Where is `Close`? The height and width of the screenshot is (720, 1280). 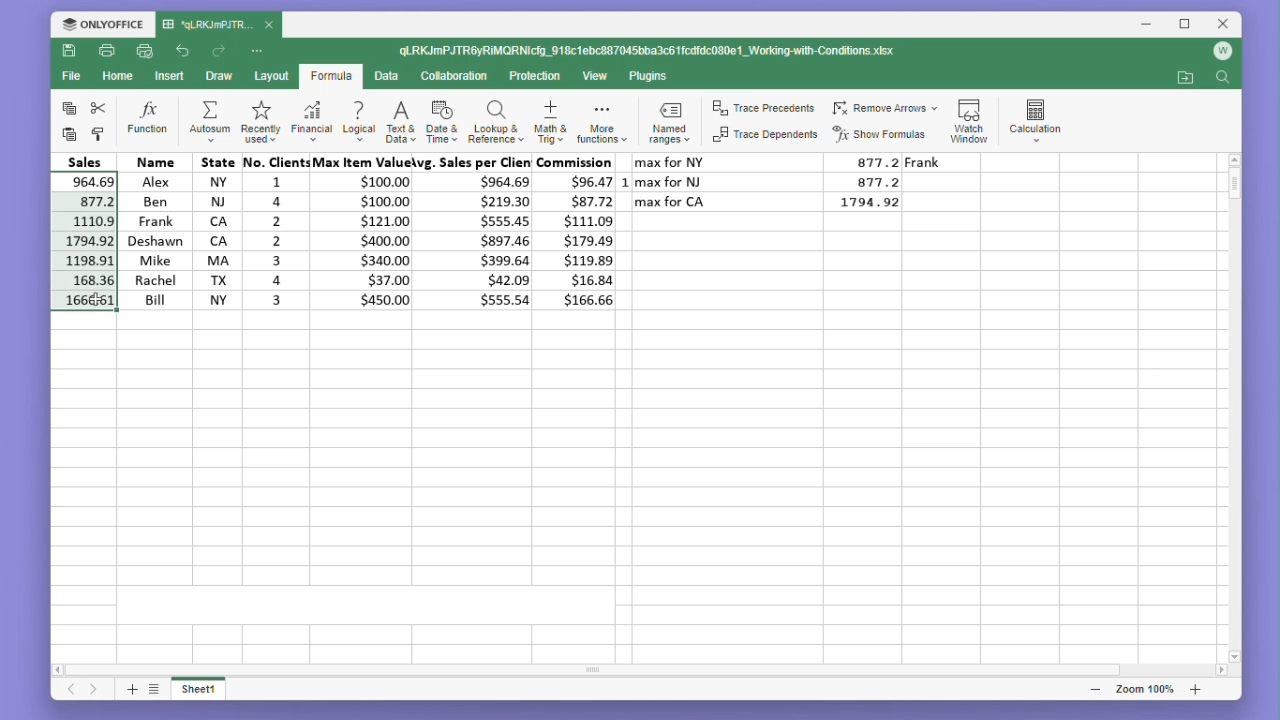
Close is located at coordinates (1218, 25).